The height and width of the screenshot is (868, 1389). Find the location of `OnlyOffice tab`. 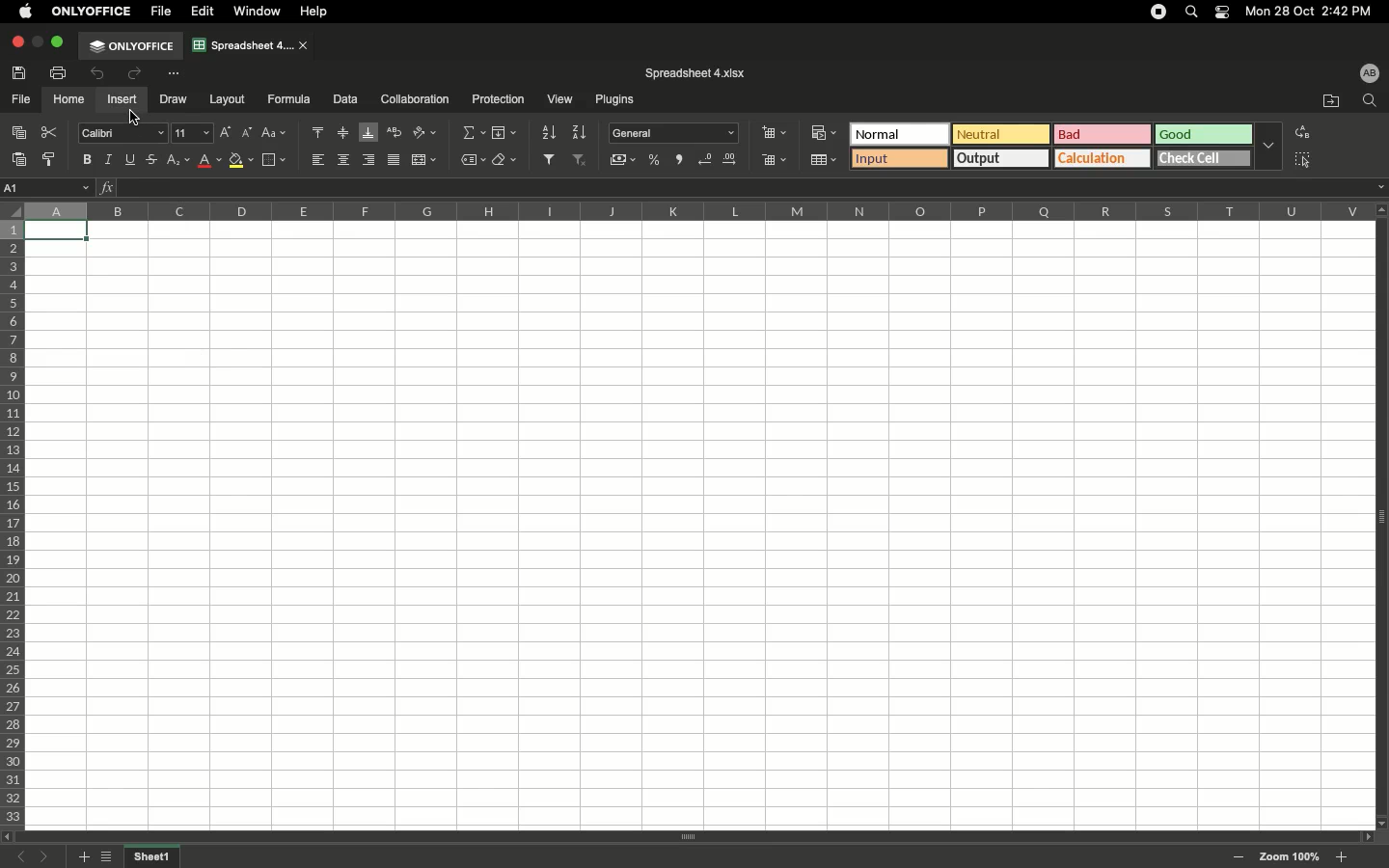

OnlyOffice tab is located at coordinates (131, 46).